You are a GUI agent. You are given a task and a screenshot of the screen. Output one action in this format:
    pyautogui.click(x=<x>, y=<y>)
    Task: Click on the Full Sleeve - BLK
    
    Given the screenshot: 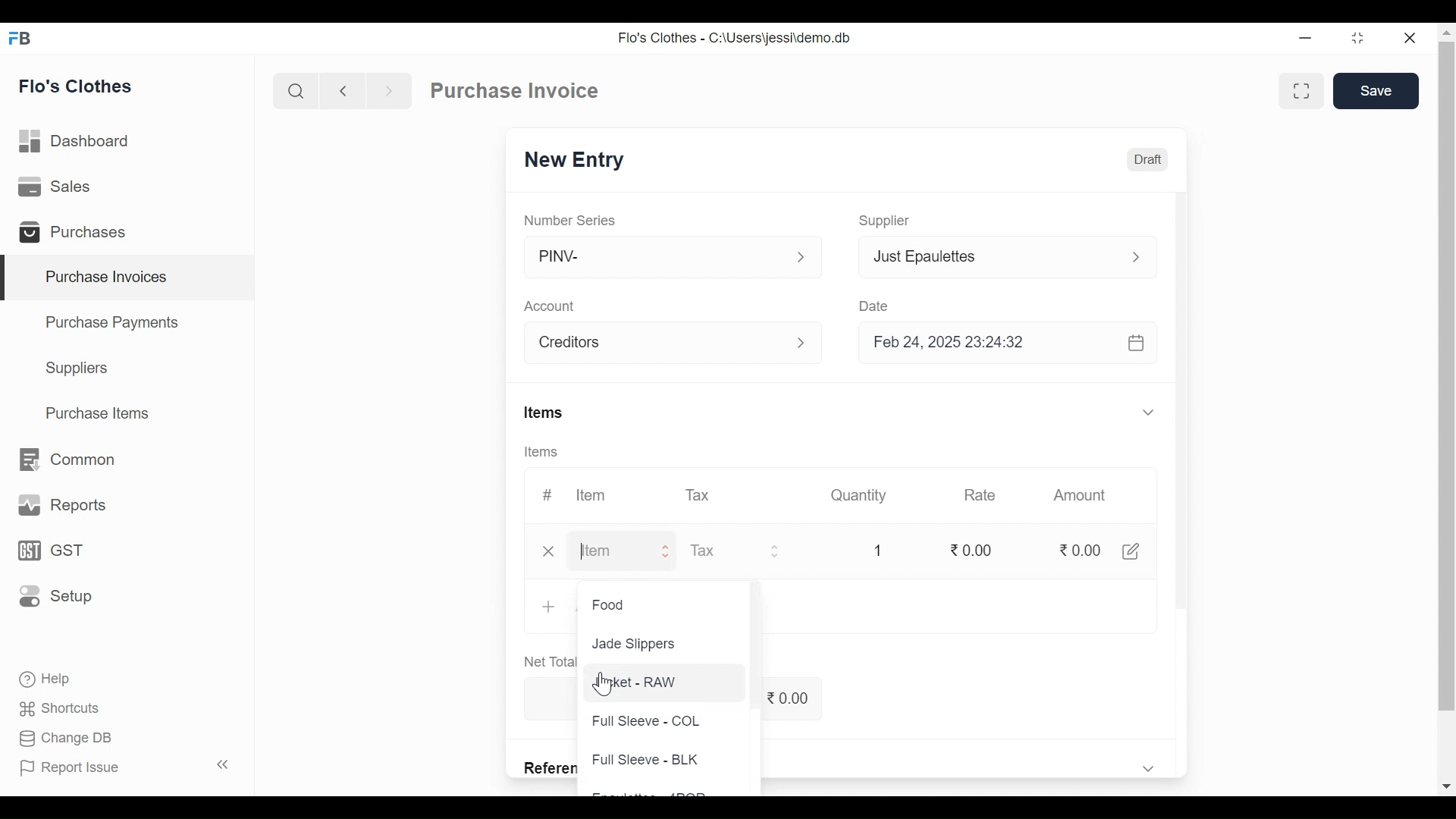 What is the action you would take?
    pyautogui.click(x=652, y=761)
    